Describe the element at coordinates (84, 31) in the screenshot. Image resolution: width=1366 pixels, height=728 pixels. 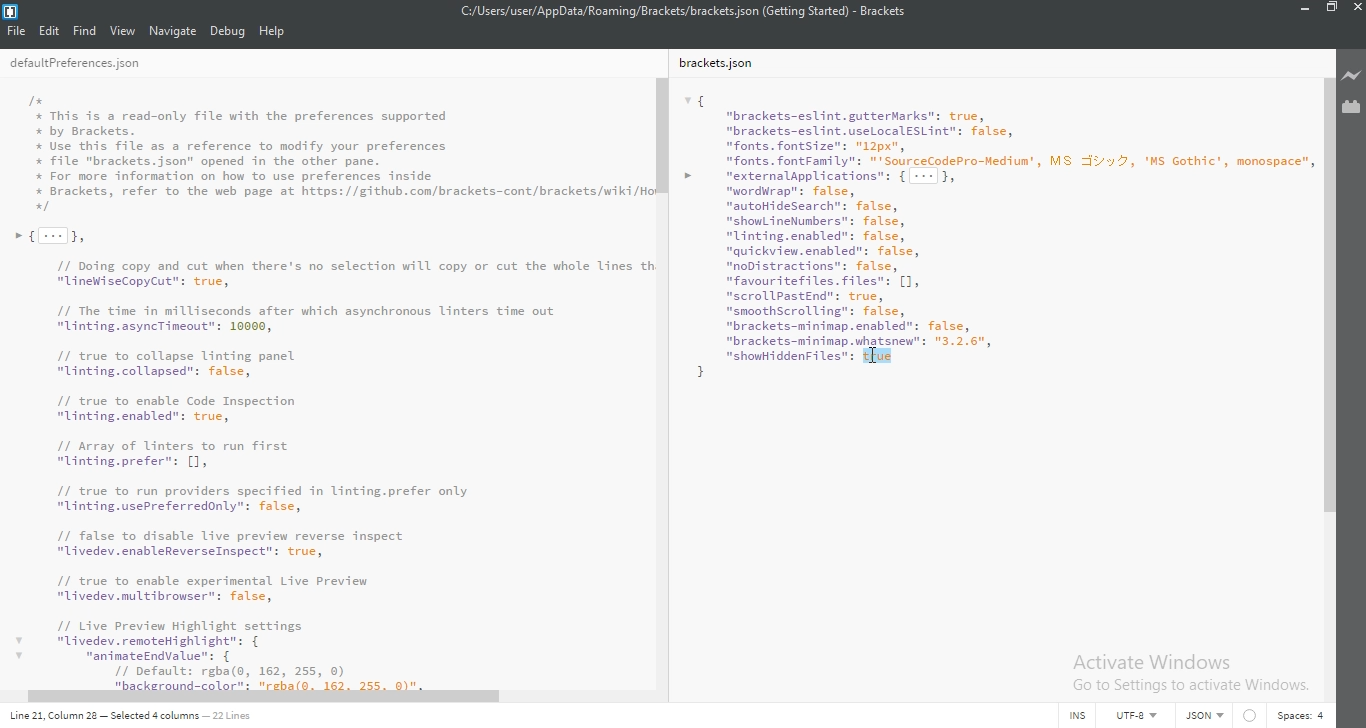
I see `Find` at that location.